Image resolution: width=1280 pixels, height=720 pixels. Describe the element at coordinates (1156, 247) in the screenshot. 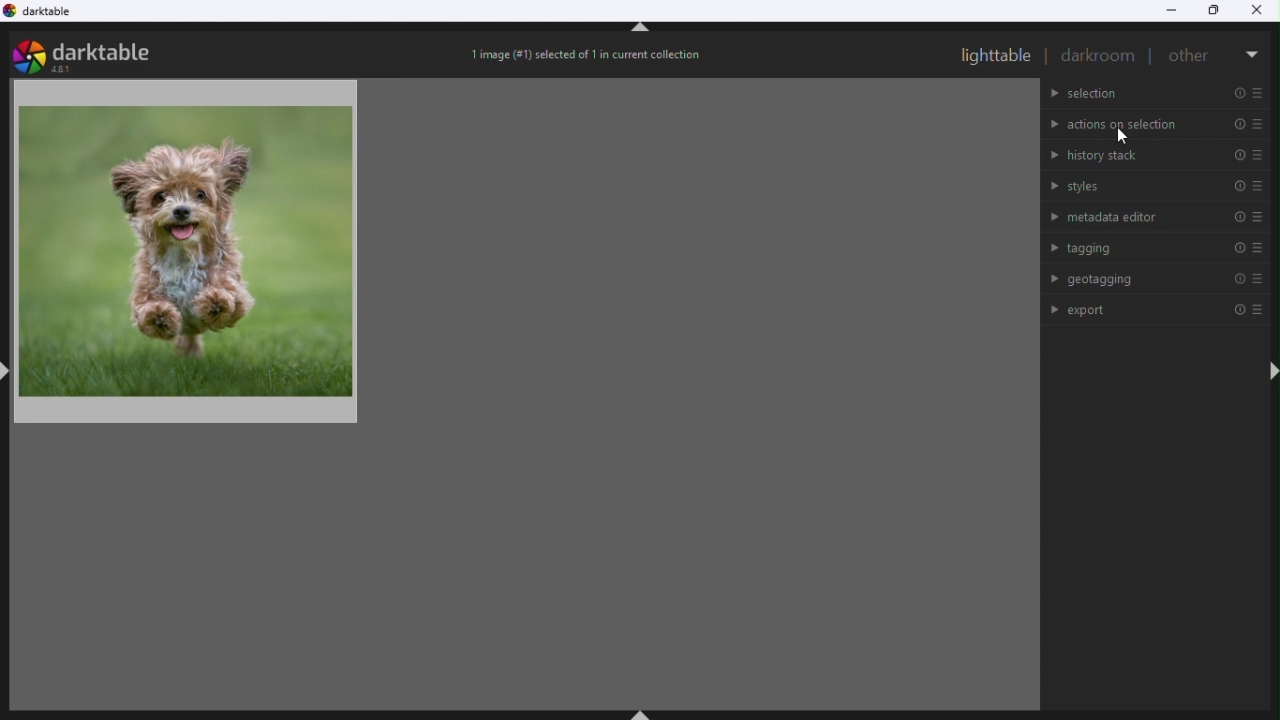

I see `Tagging` at that location.